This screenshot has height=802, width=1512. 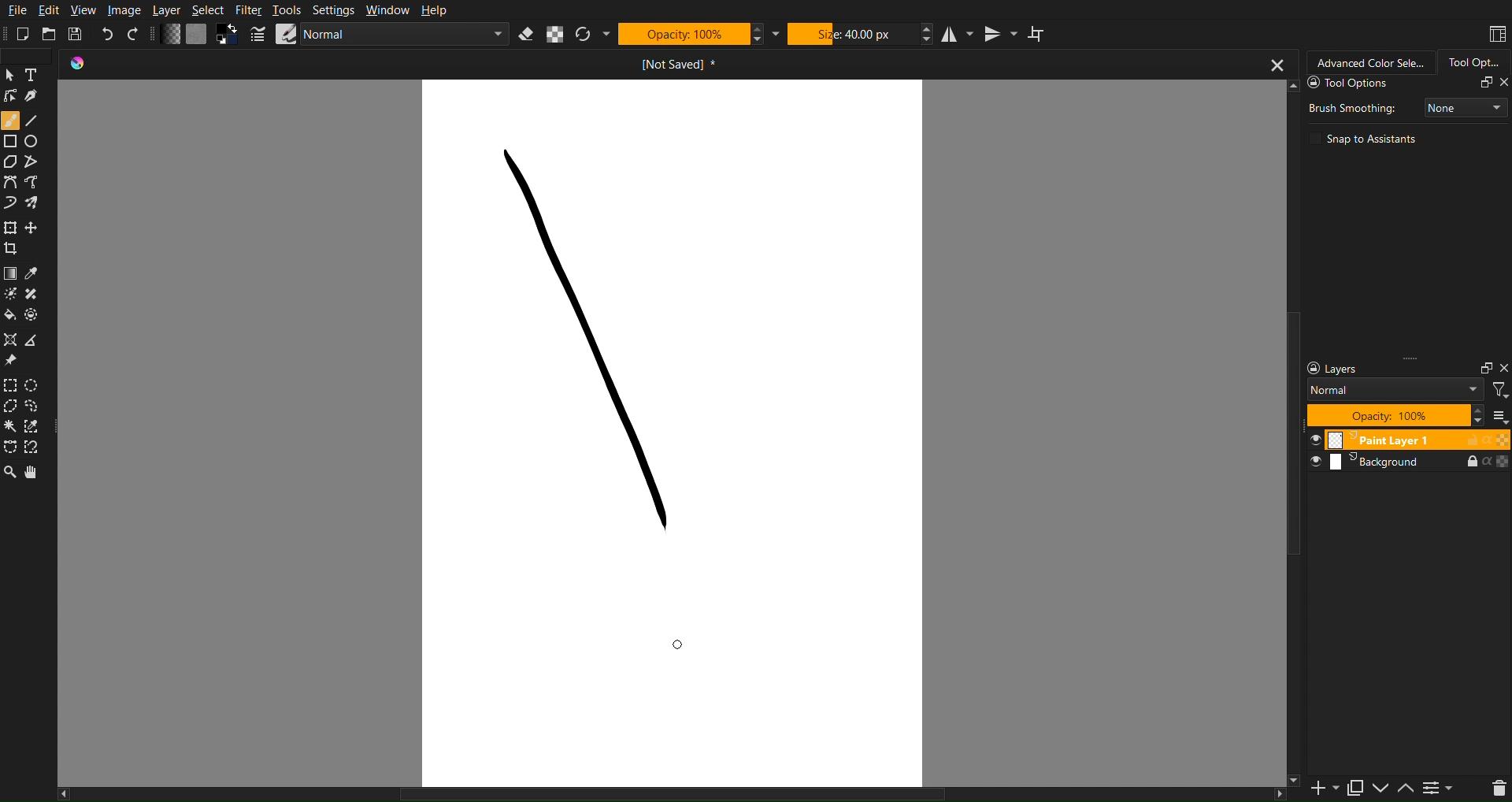 What do you see at coordinates (333, 9) in the screenshot?
I see `Settings` at bounding box center [333, 9].